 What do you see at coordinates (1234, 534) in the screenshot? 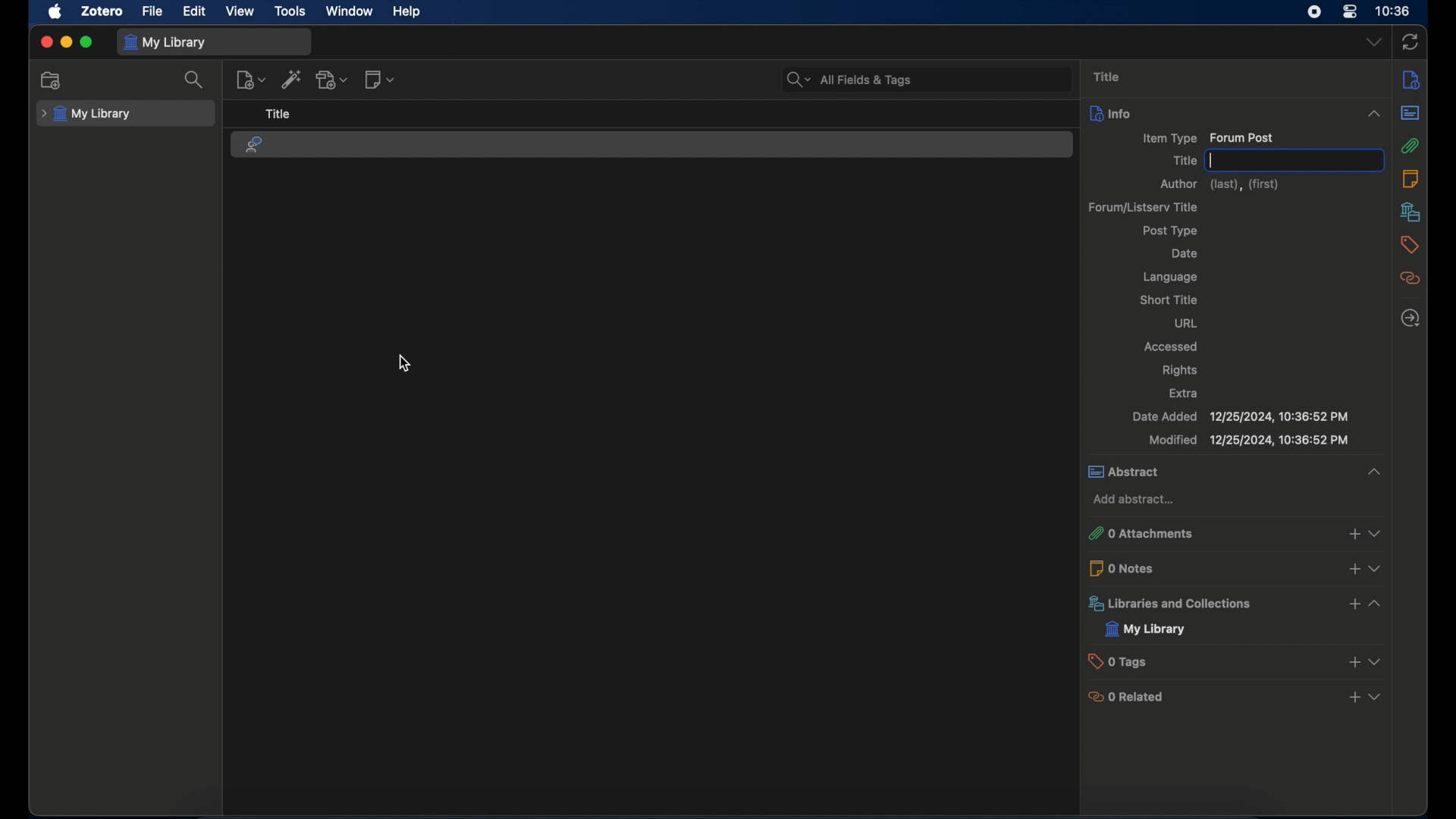
I see `0 attachments` at bounding box center [1234, 534].